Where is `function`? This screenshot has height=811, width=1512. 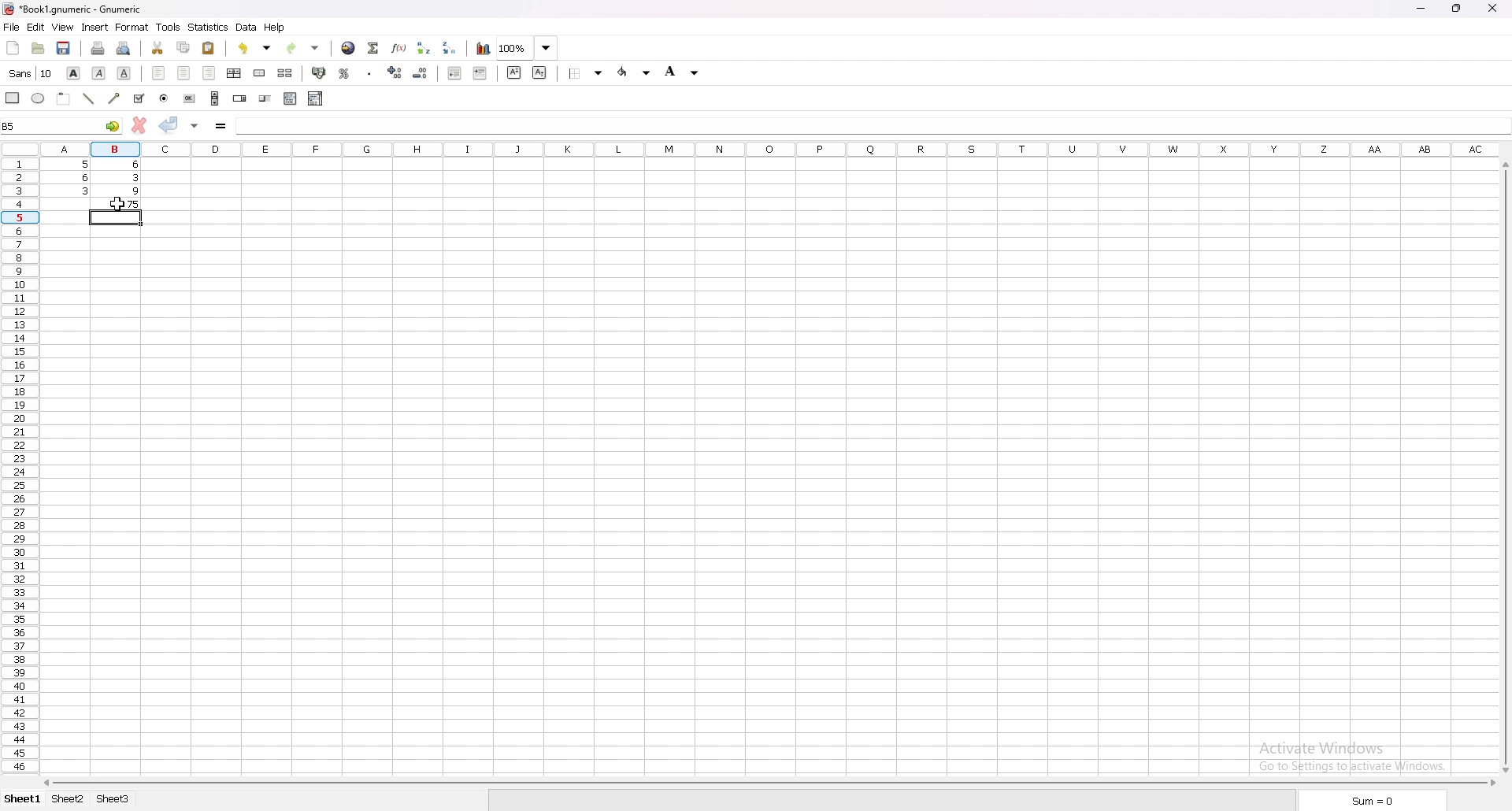
function is located at coordinates (399, 47).